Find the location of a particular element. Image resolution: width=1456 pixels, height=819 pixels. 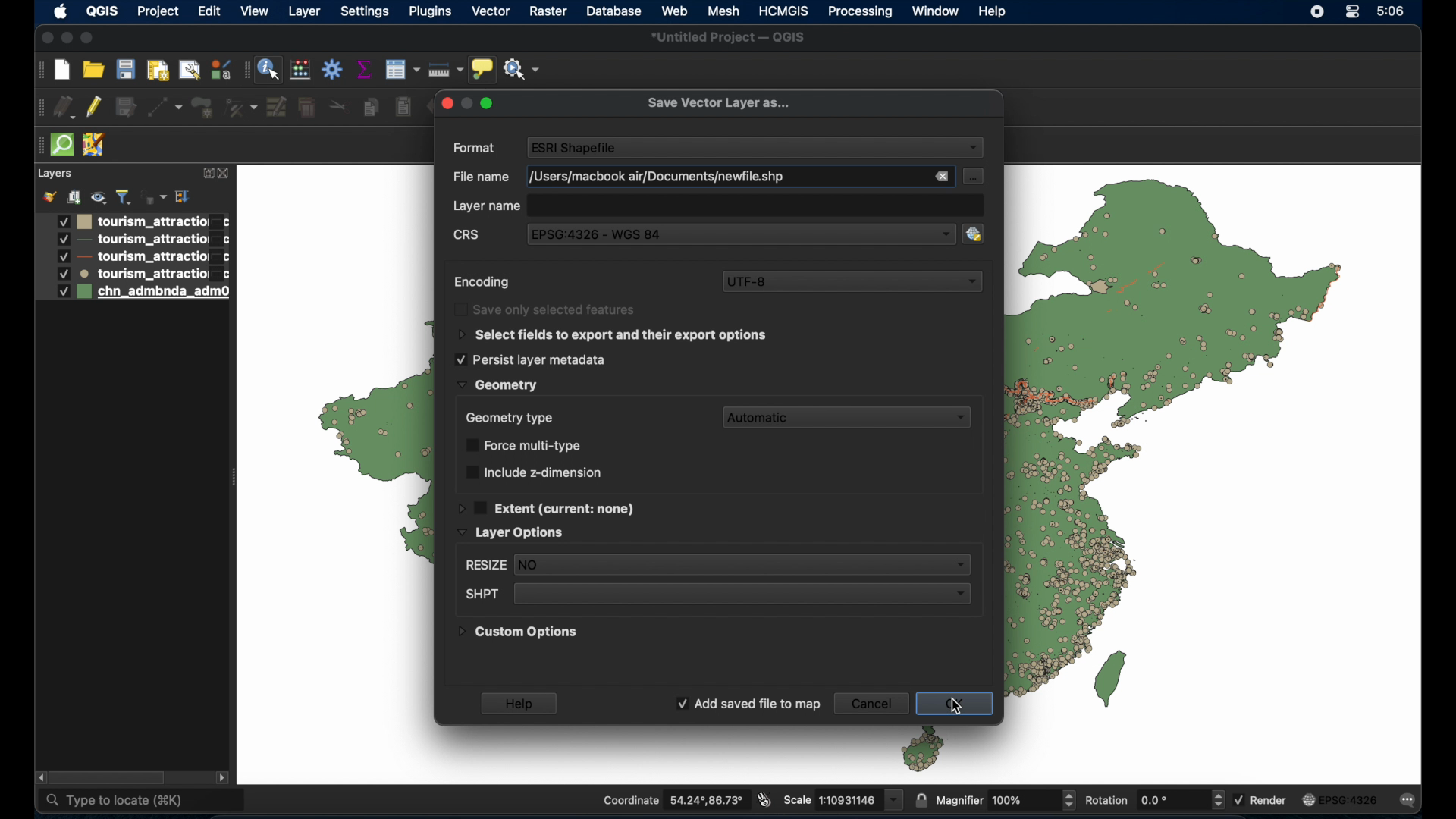

lock scale is located at coordinates (921, 798).